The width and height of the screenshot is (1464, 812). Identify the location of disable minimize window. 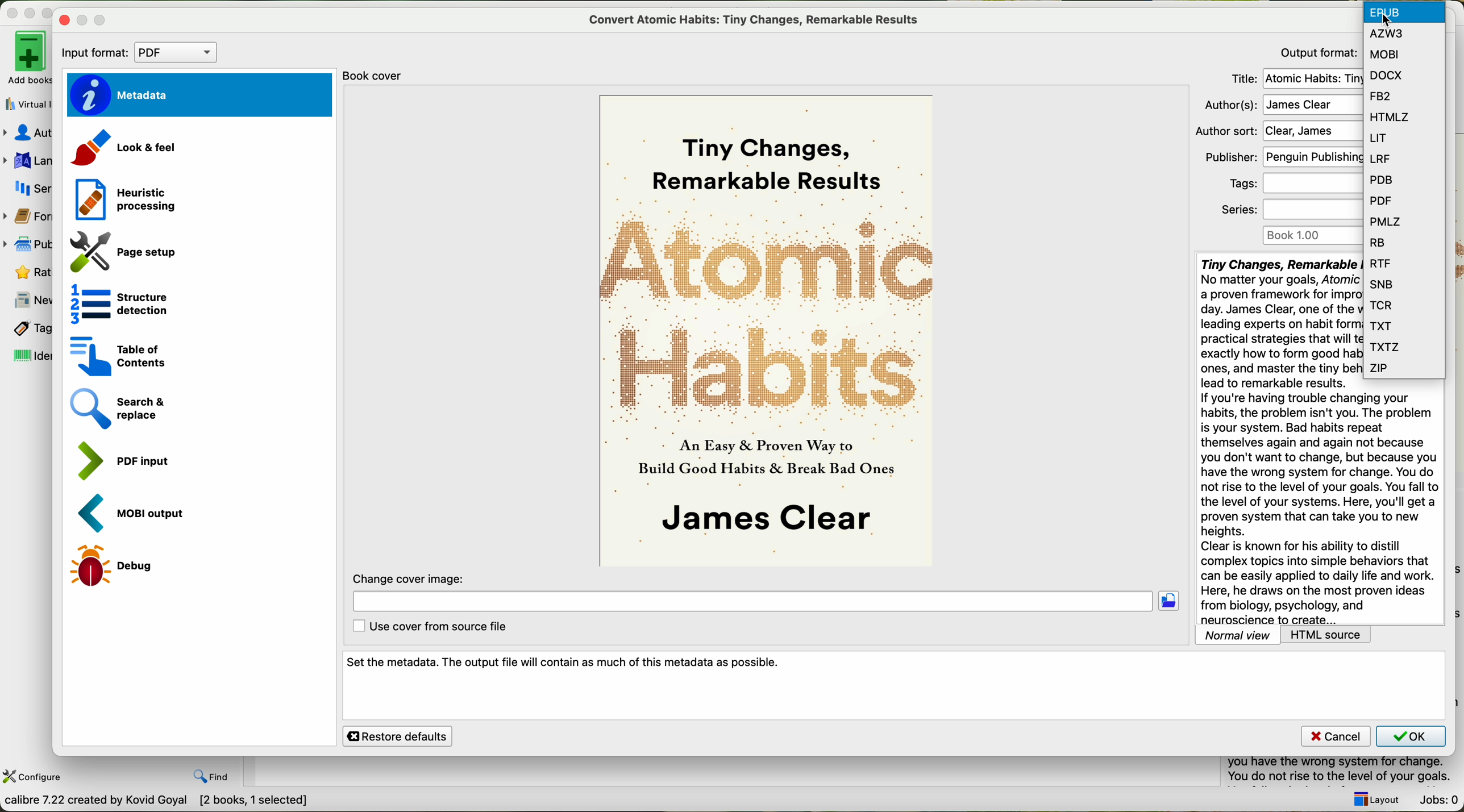
(84, 20).